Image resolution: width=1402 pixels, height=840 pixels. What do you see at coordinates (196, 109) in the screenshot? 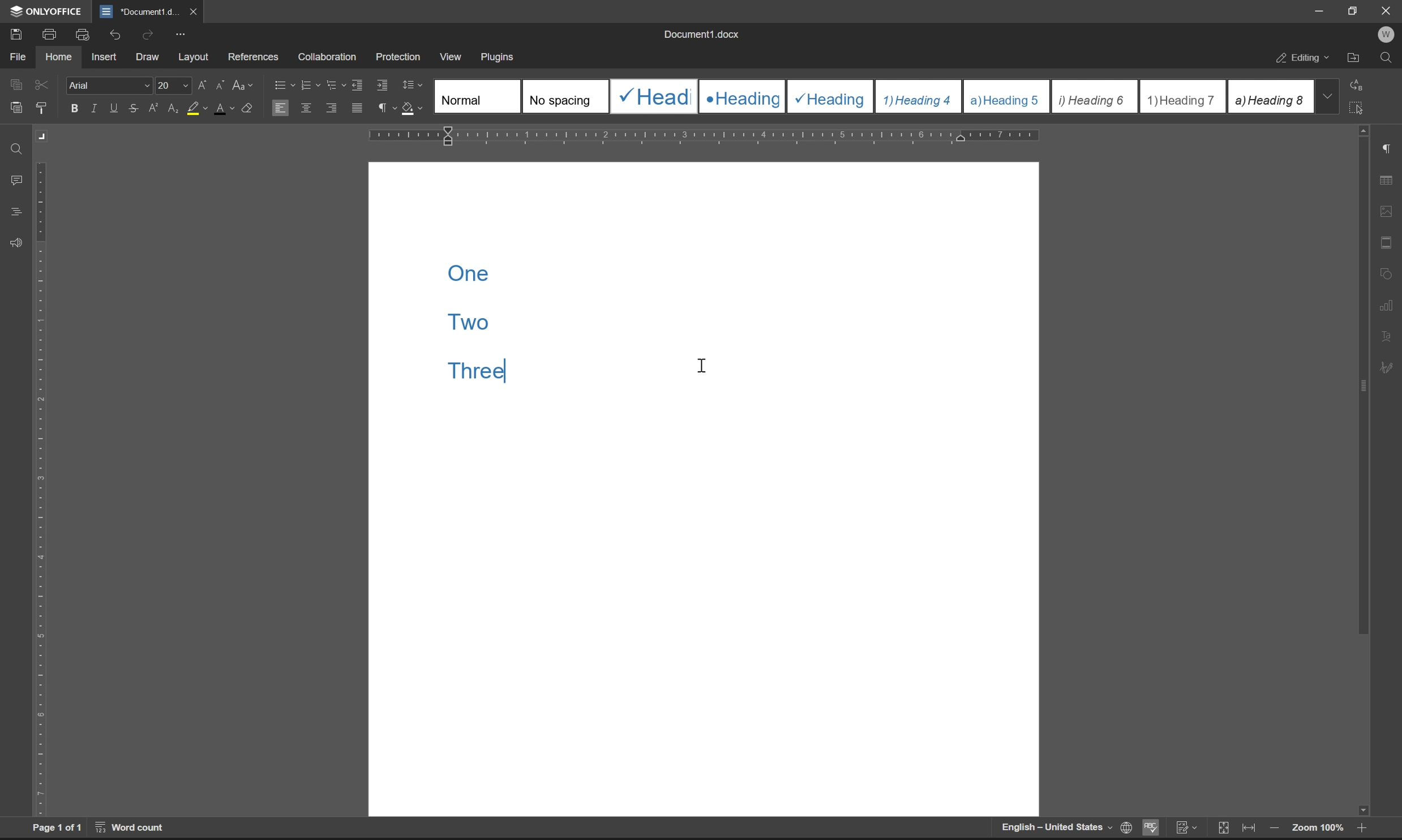
I see `background color` at bounding box center [196, 109].